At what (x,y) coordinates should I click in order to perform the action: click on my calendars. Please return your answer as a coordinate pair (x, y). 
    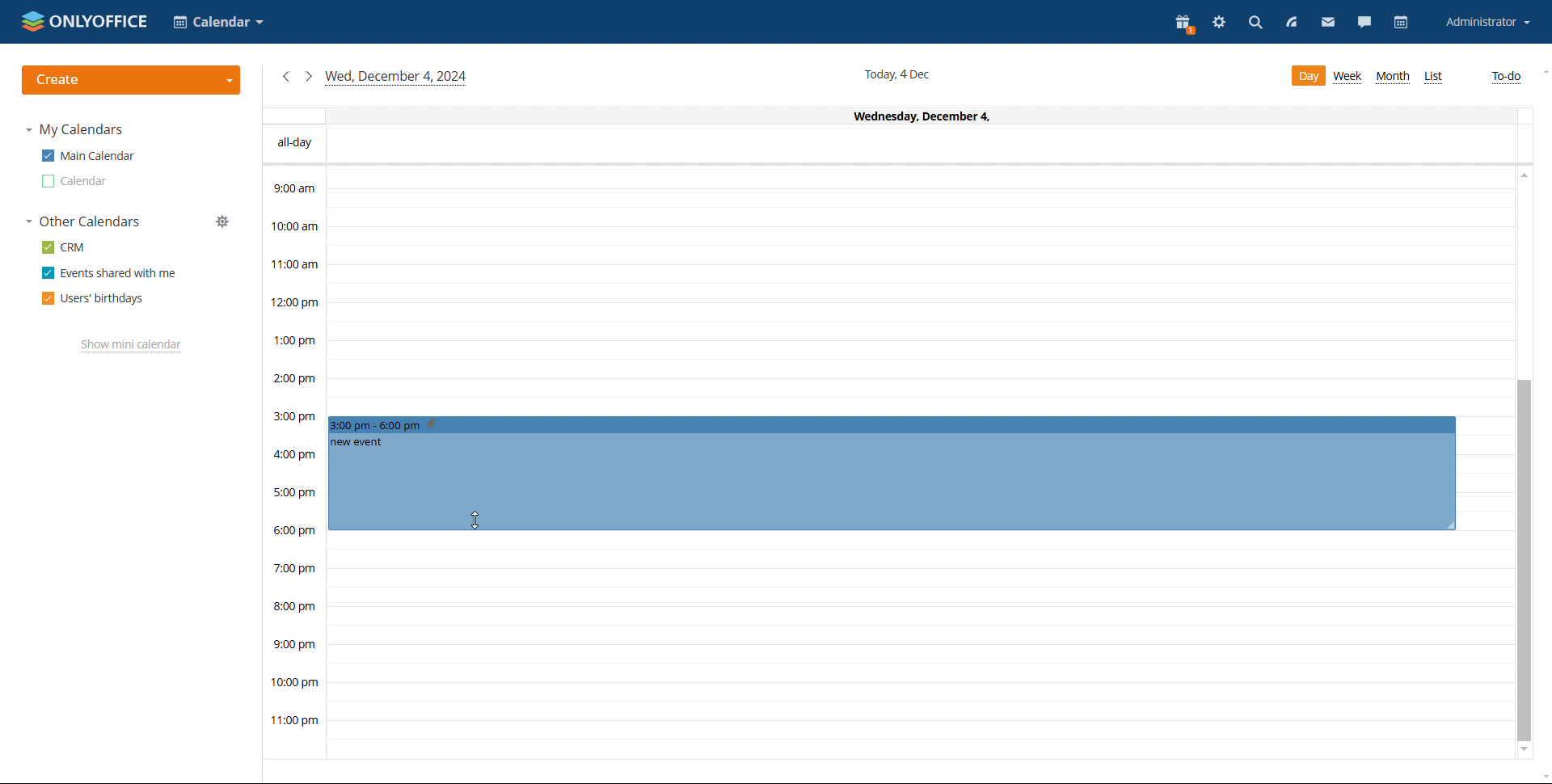
    Looking at the image, I should click on (74, 129).